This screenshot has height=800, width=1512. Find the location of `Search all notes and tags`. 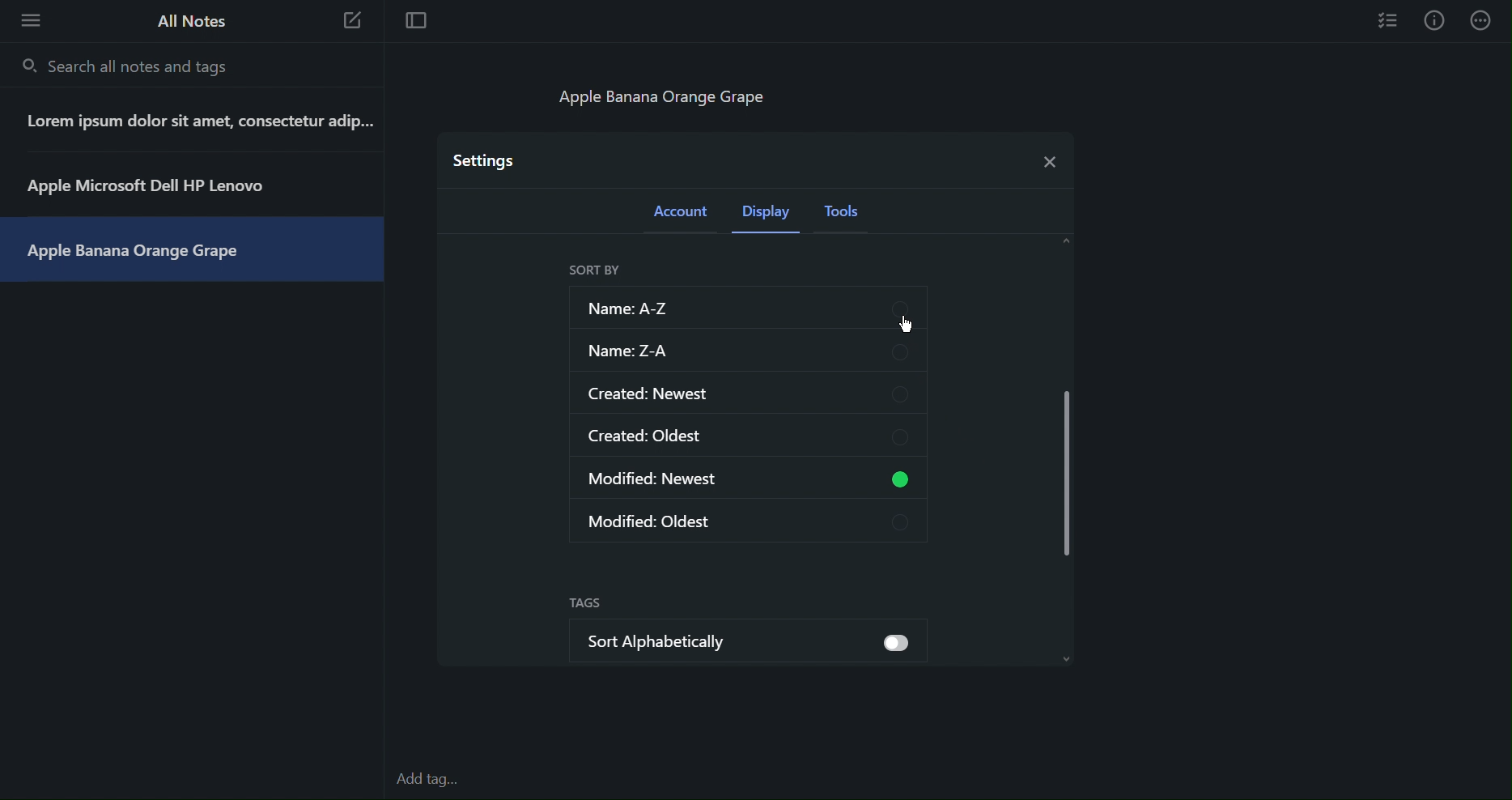

Search all notes and tags is located at coordinates (130, 66).